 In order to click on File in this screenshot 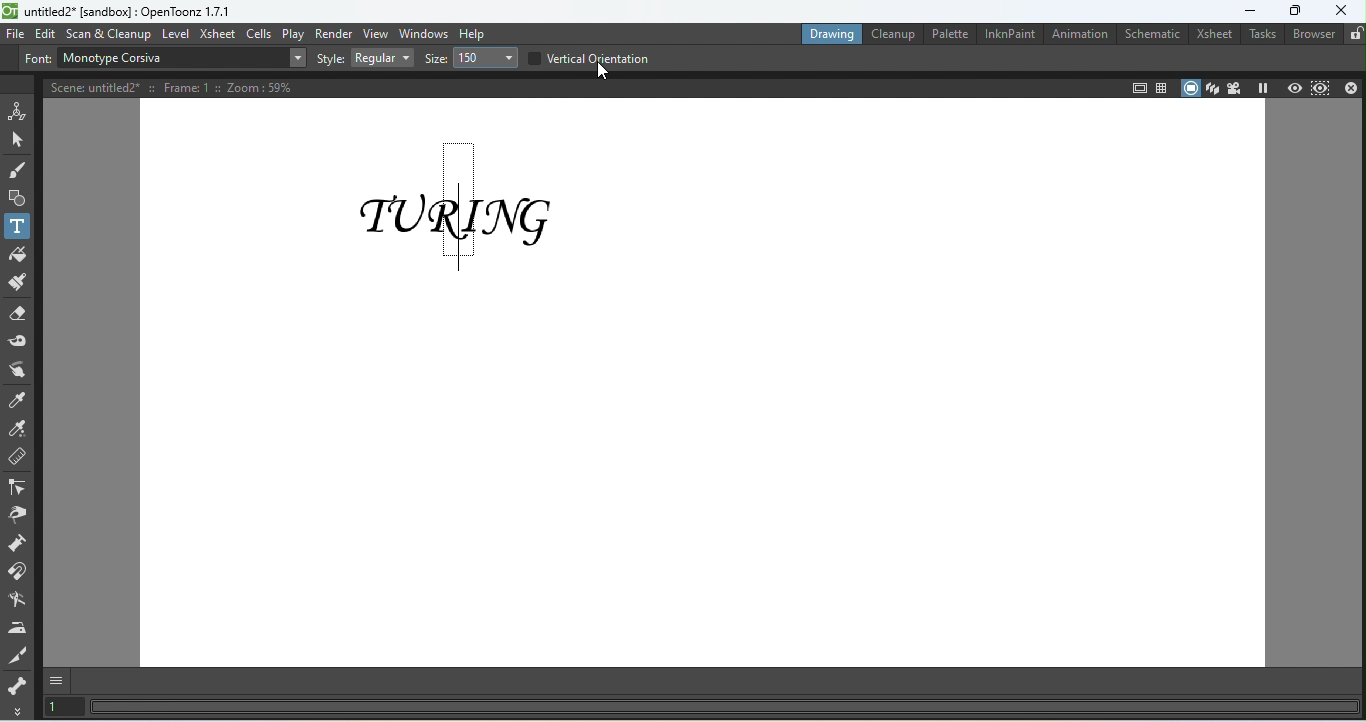, I will do `click(15, 34)`.